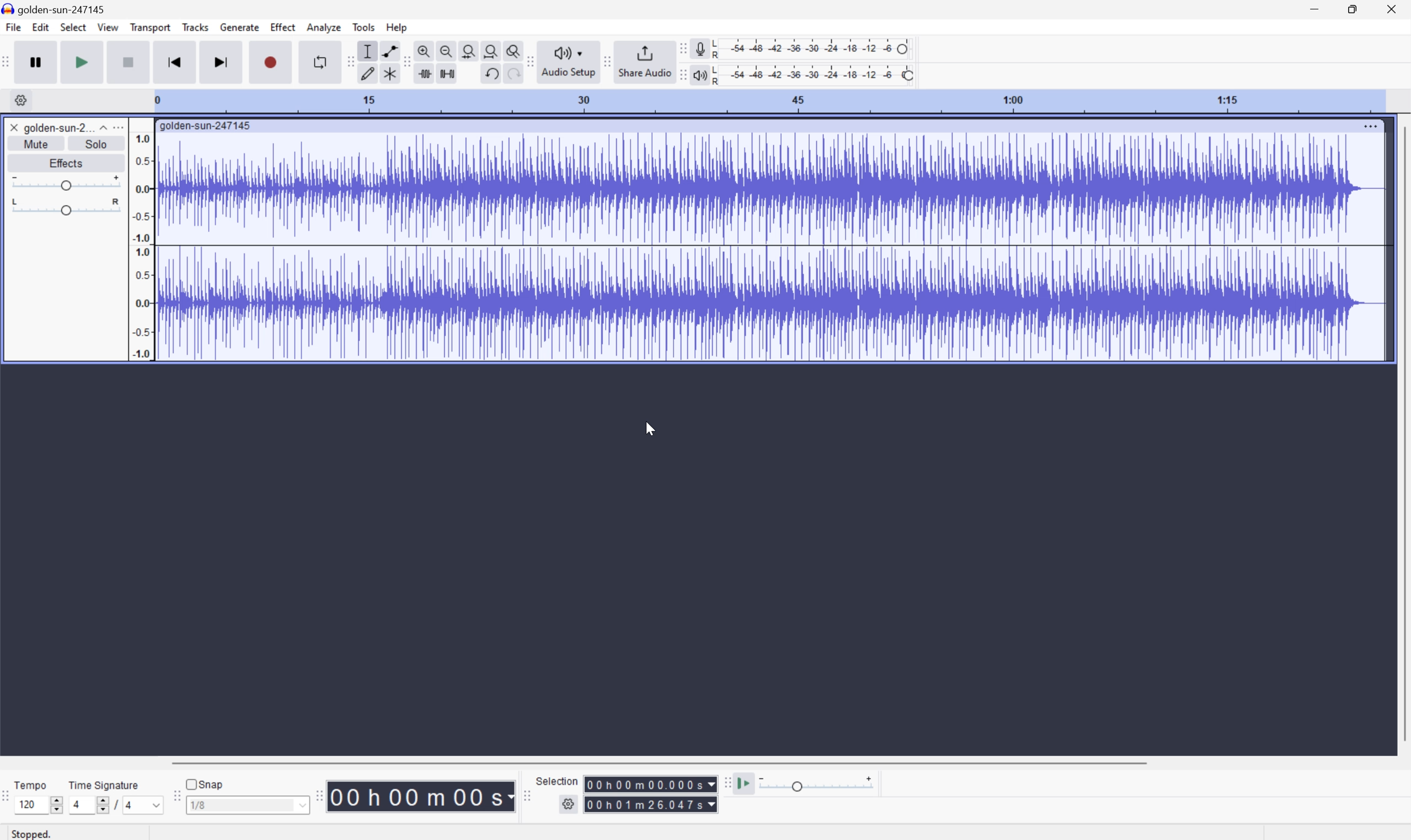 The image size is (1411, 840). What do you see at coordinates (129, 62) in the screenshot?
I see `Stop` at bounding box center [129, 62].